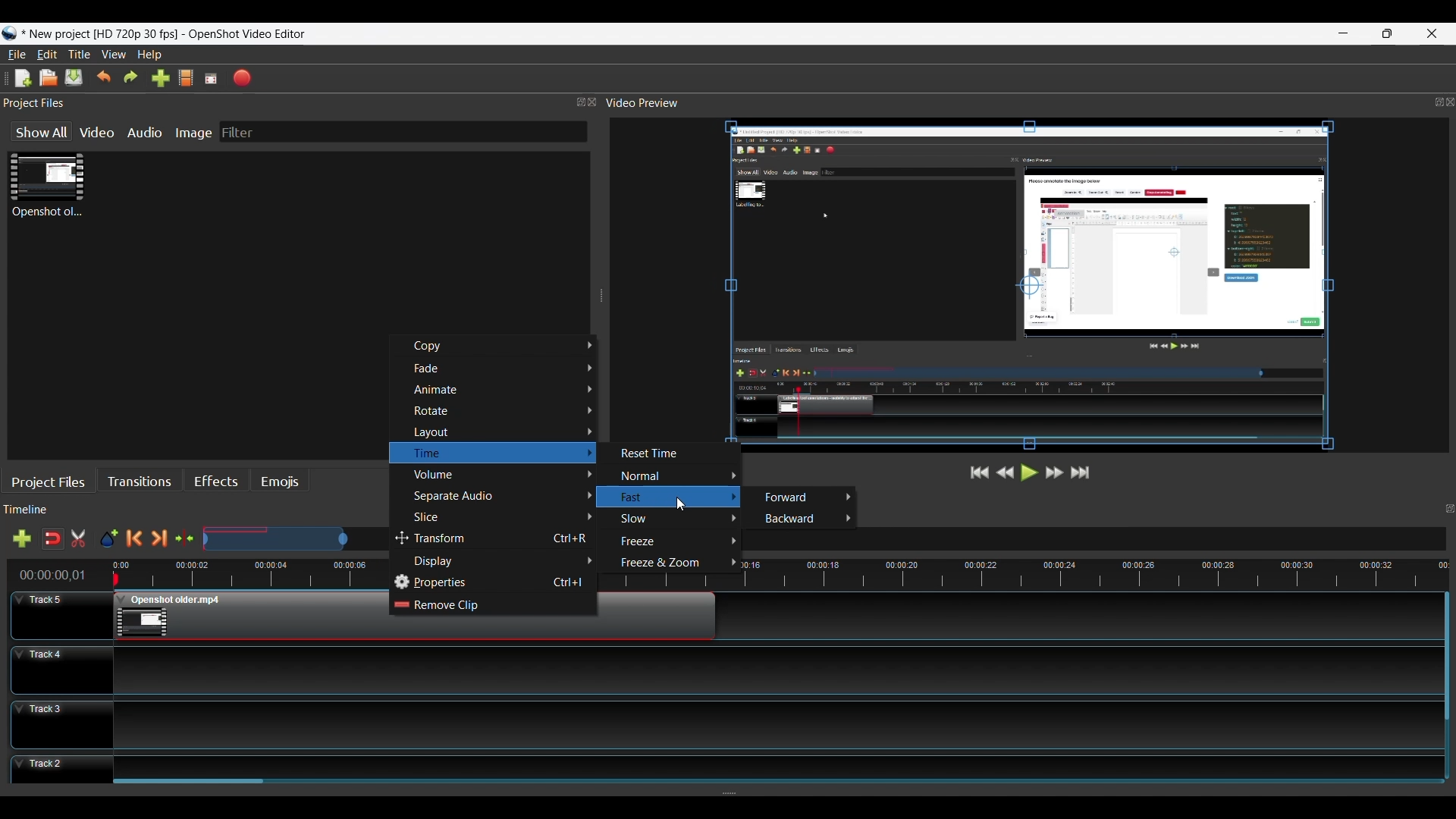 This screenshot has width=1456, height=819. What do you see at coordinates (81, 55) in the screenshot?
I see `Title` at bounding box center [81, 55].